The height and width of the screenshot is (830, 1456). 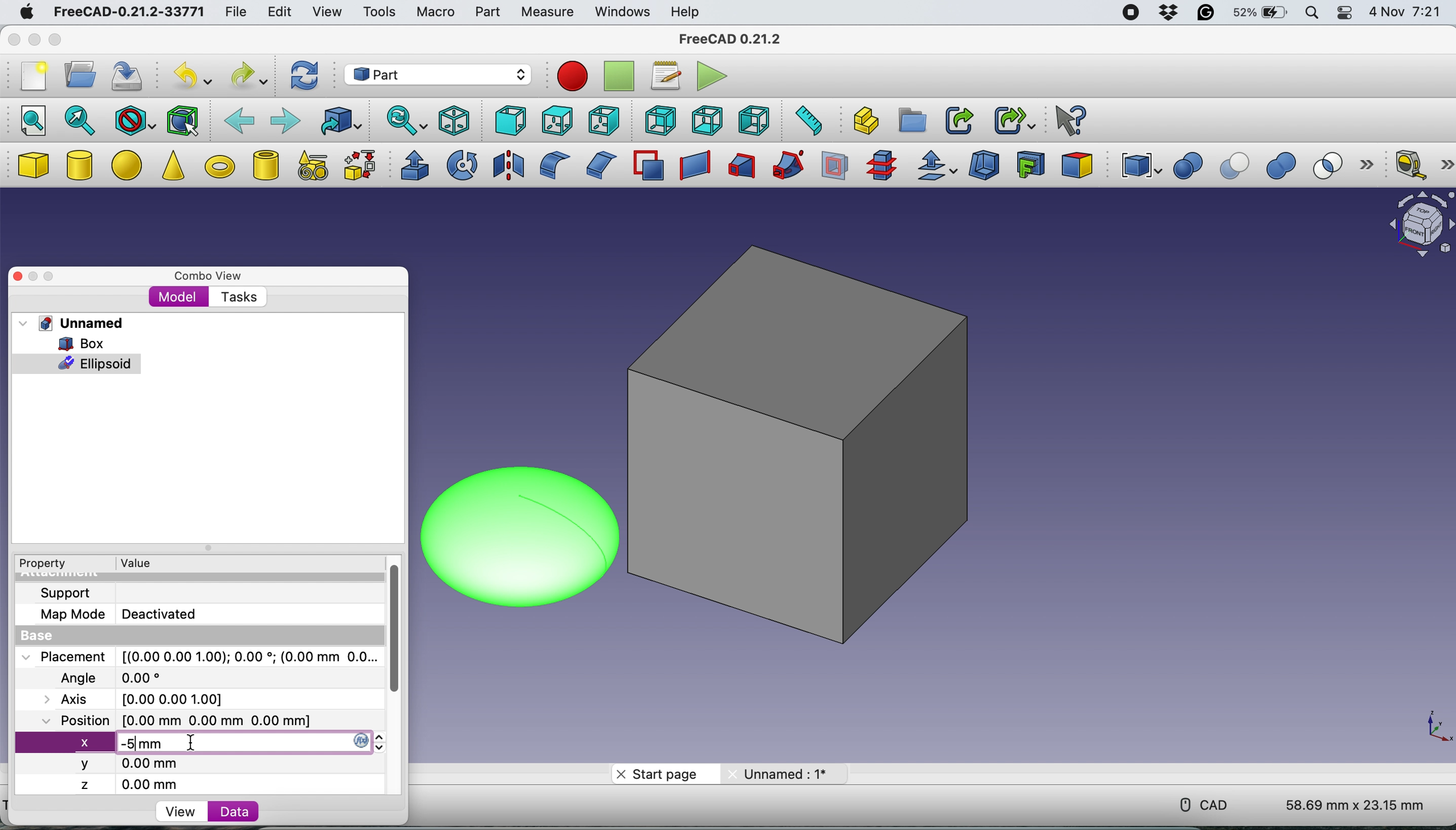 I want to click on combo view, so click(x=204, y=272).